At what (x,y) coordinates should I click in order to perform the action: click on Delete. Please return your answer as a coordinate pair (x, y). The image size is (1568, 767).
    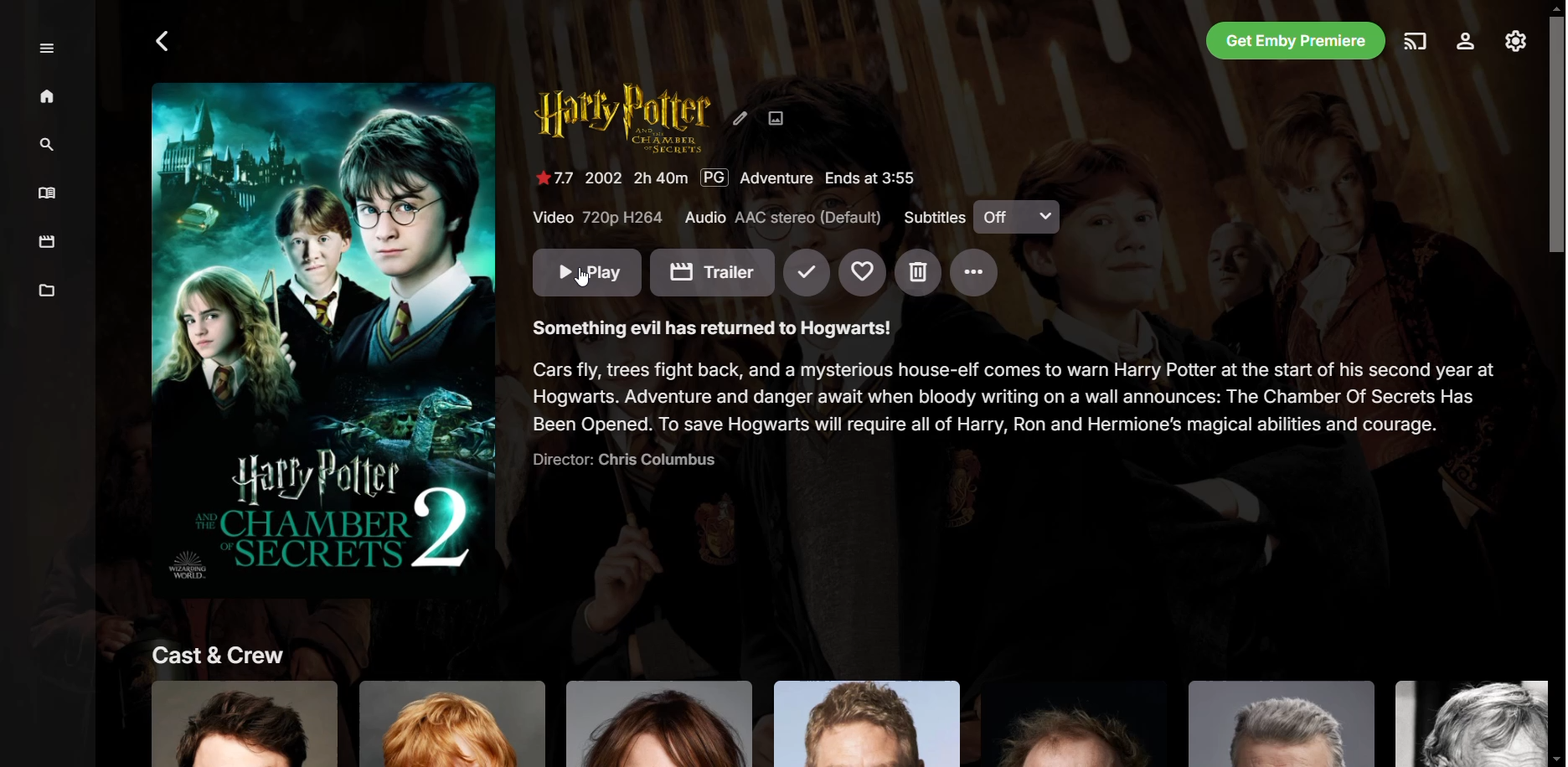
    Looking at the image, I should click on (918, 273).